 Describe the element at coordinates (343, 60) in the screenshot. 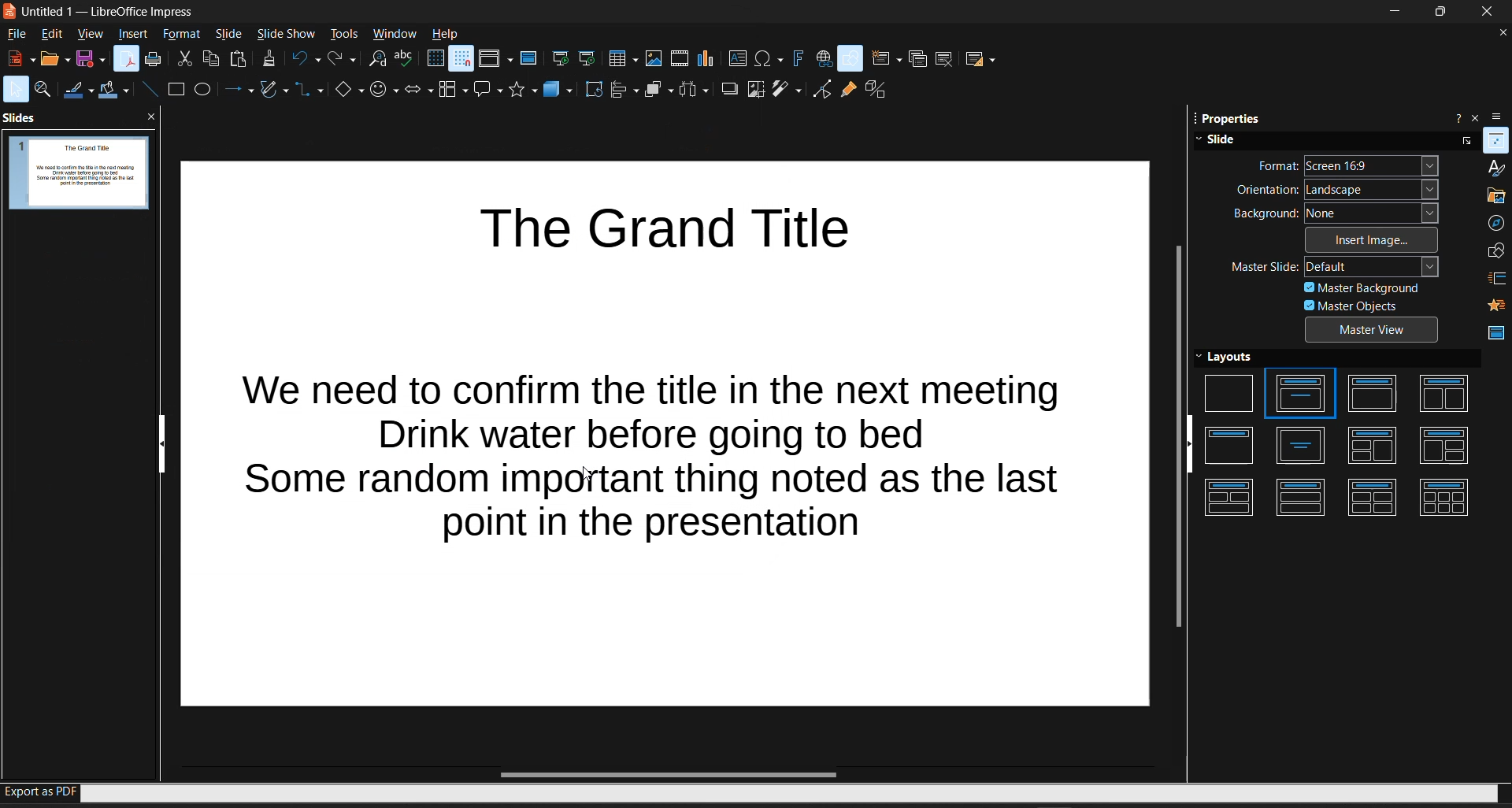

I see `redo` at that location.